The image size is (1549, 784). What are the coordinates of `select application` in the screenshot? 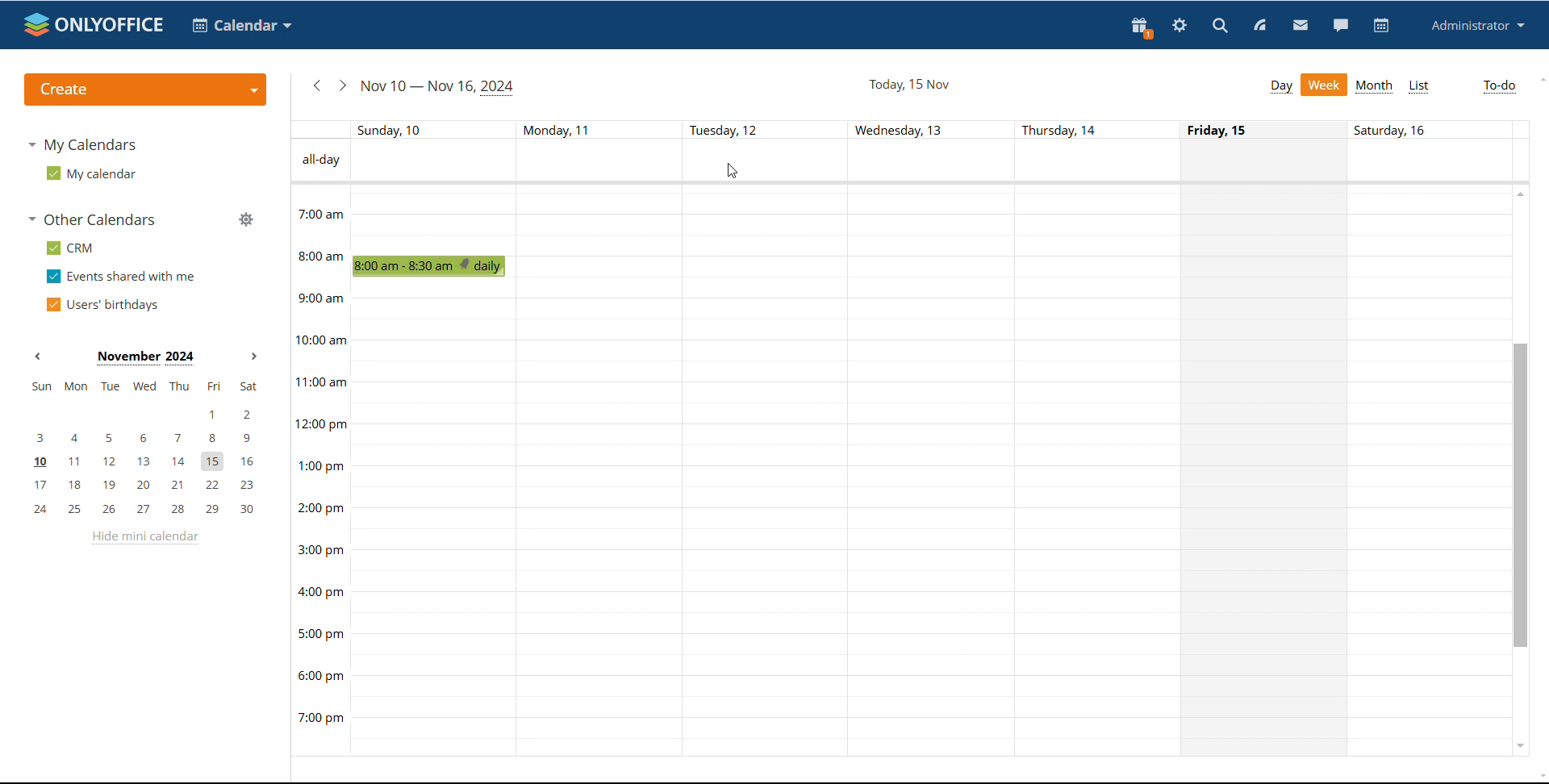 It's located at (244, 25).